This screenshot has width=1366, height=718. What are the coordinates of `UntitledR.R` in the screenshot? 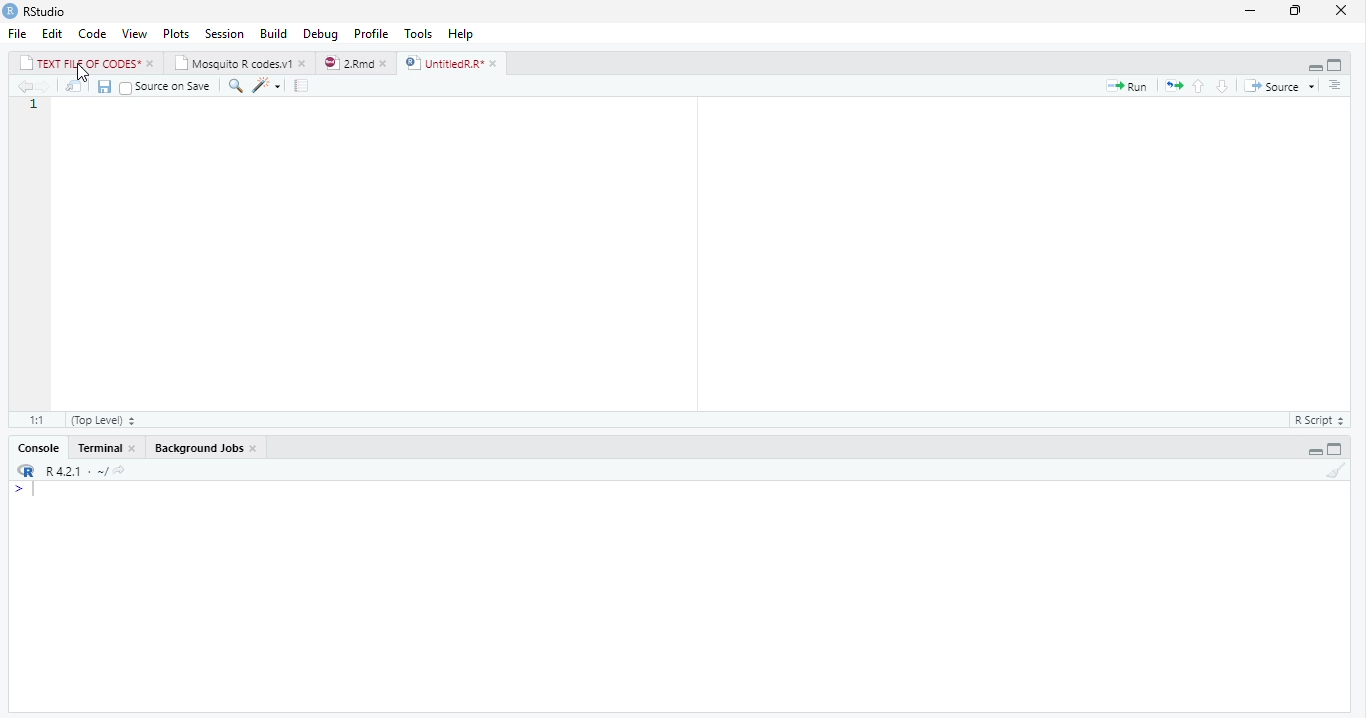 It's located at (443, 63).